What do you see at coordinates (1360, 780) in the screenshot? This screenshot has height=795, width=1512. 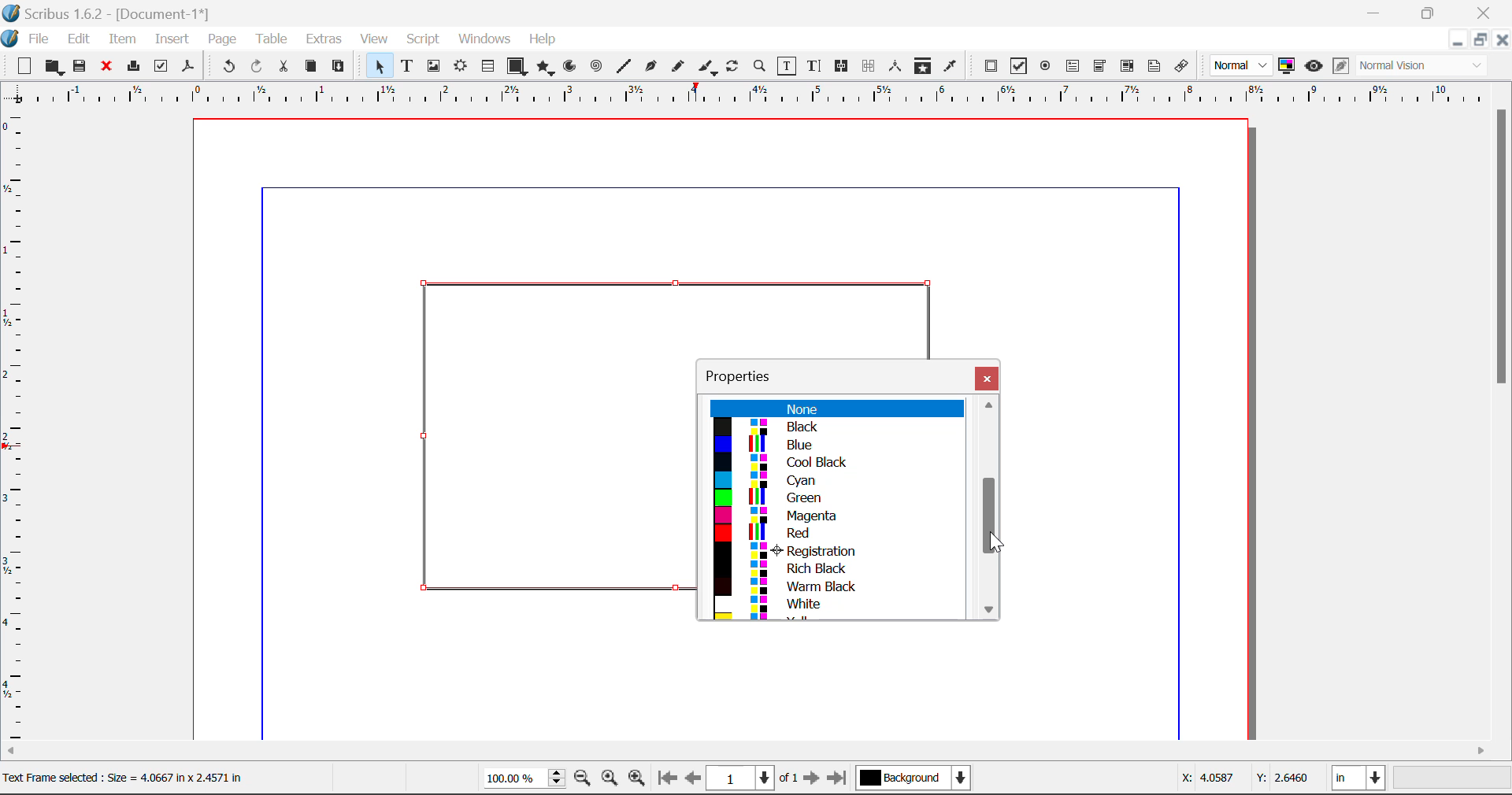 I see `Measurement Units` at bounding box center [1360, 780].